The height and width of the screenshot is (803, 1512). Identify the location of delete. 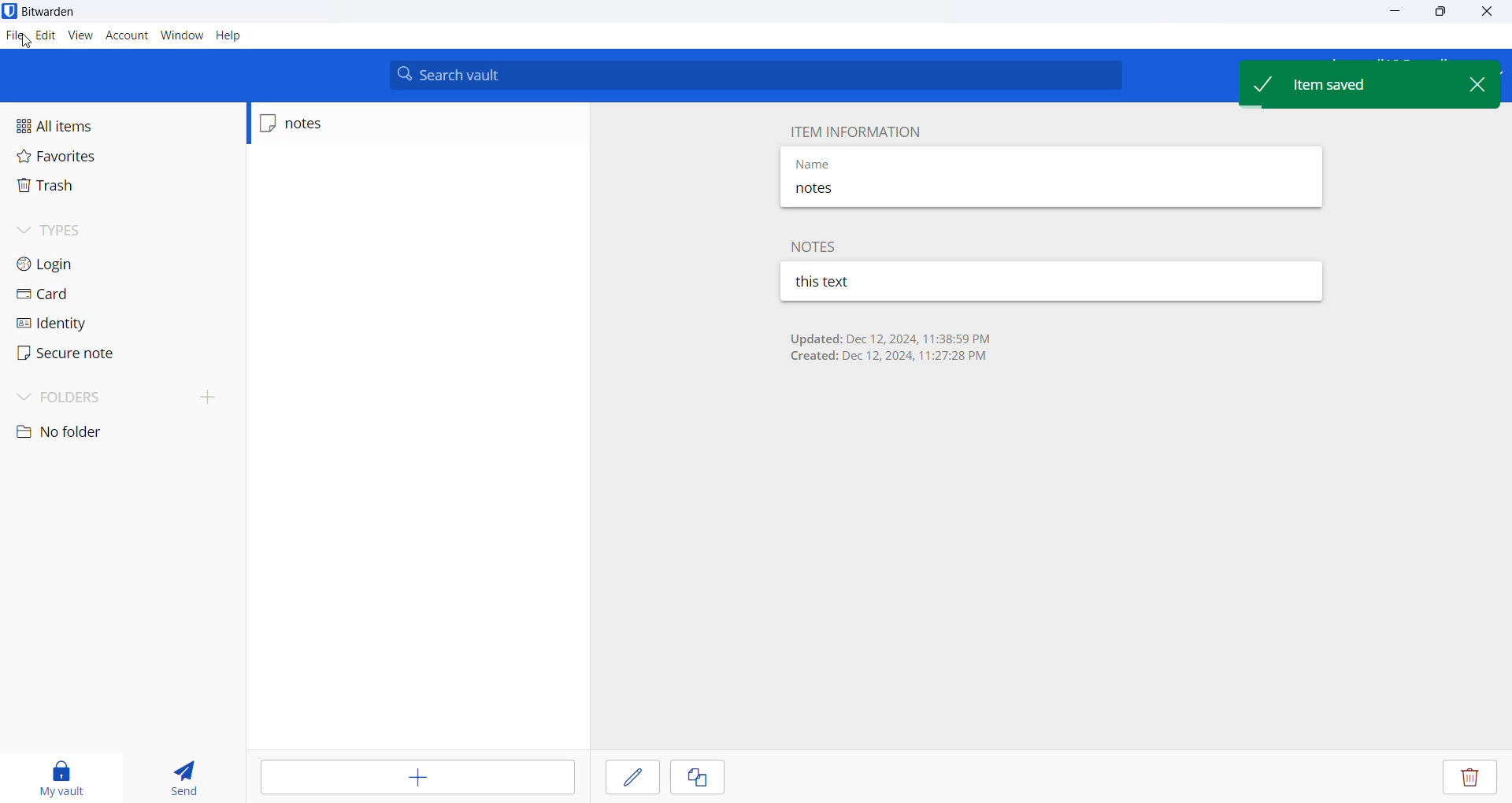
(1469, 778).